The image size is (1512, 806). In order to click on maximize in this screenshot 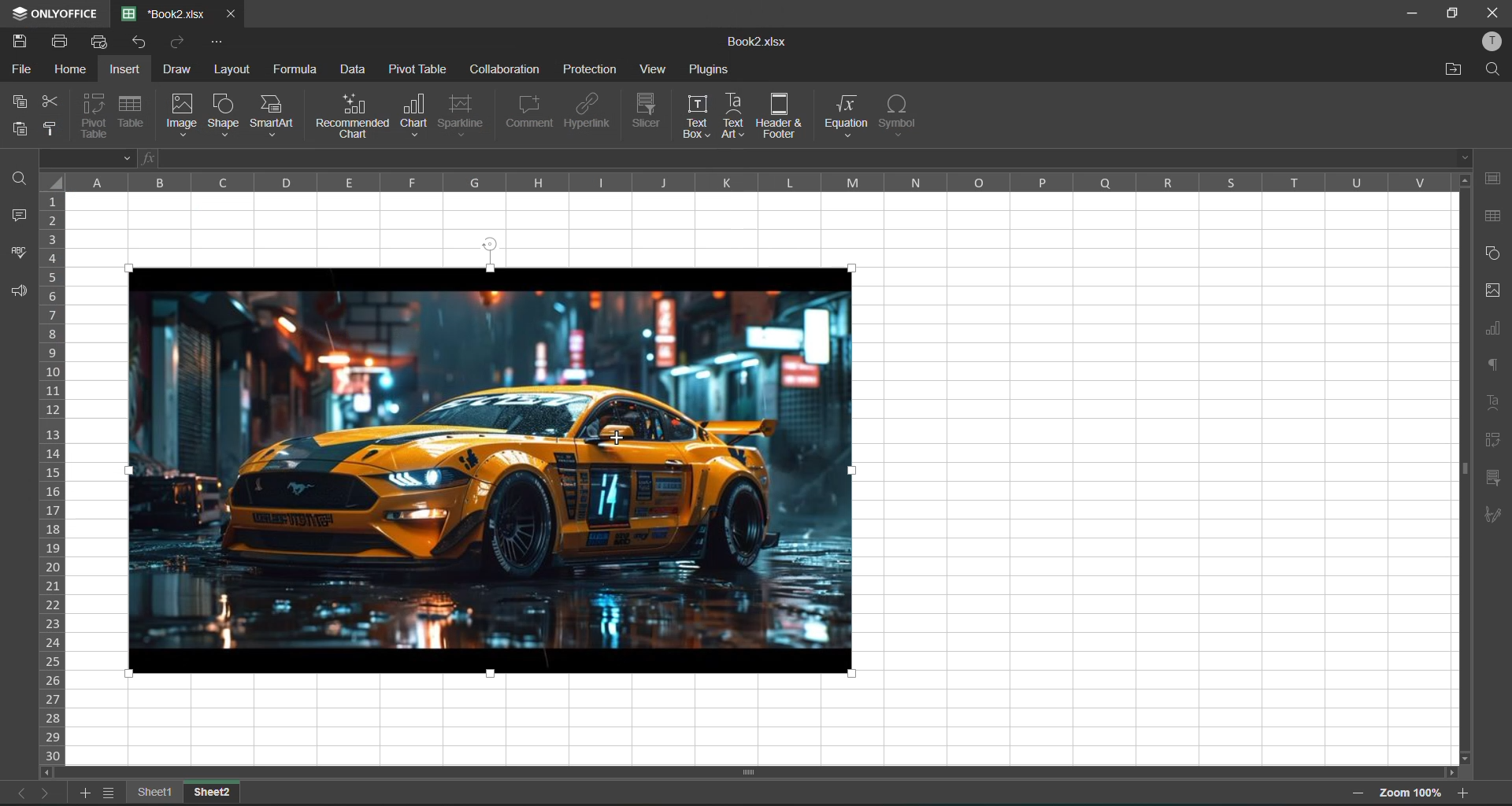, I will do `click(1451, 15)`.